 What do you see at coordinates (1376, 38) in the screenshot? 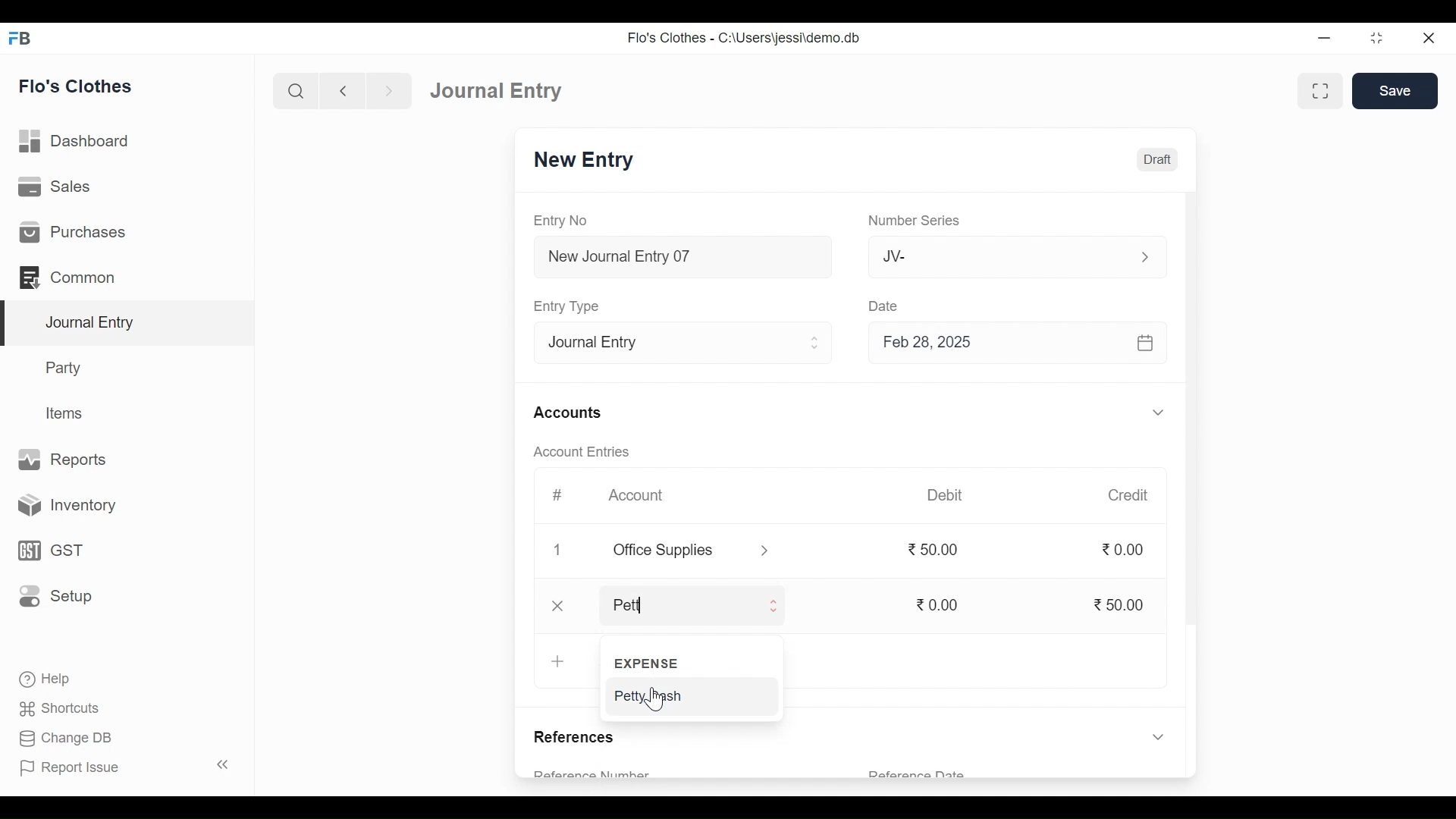
I see `Restore` at bounding box center [1376, 38].